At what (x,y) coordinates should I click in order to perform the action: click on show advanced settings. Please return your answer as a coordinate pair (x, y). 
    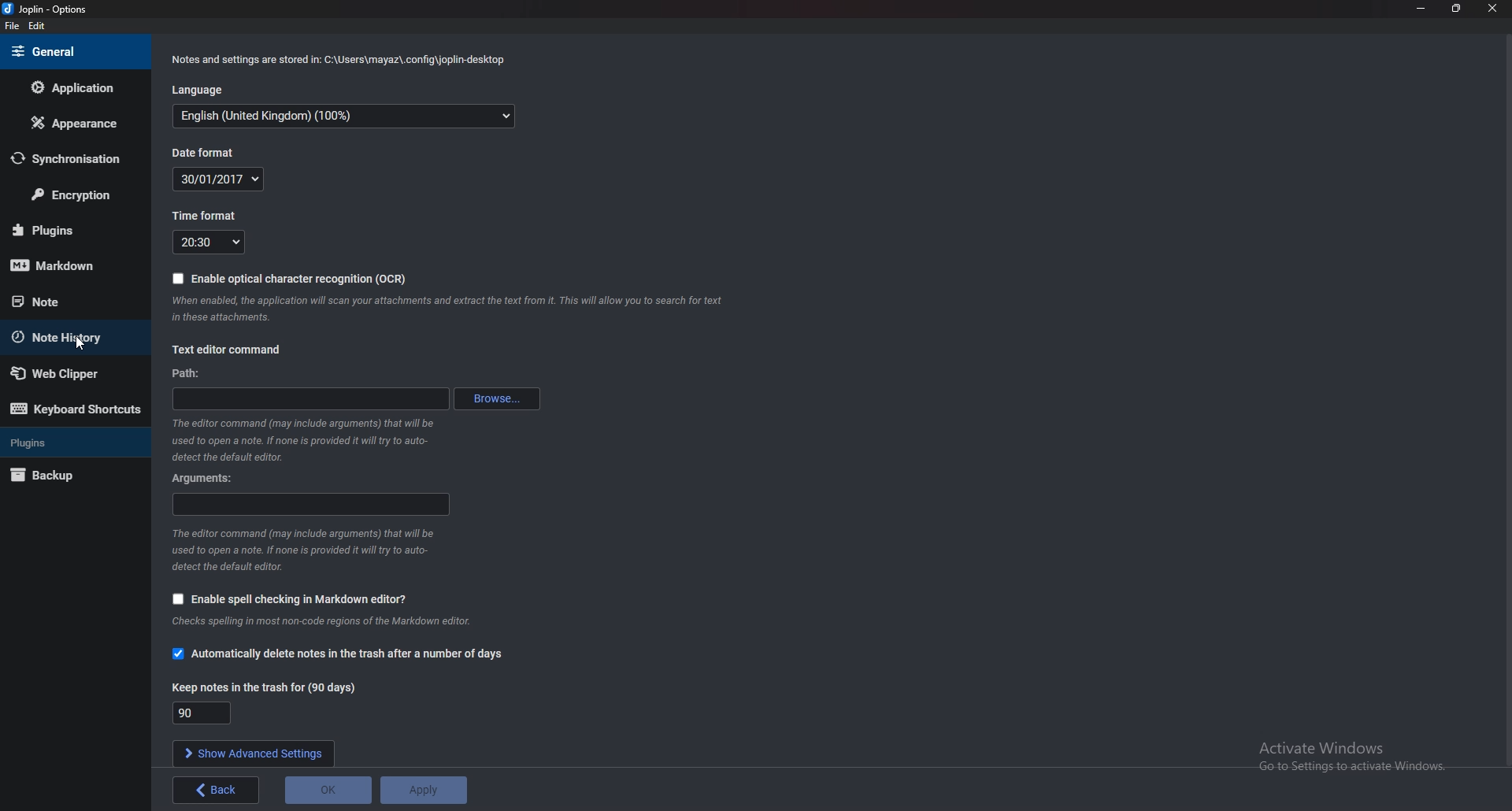
    Looking at the image, I should click on (251, 753).